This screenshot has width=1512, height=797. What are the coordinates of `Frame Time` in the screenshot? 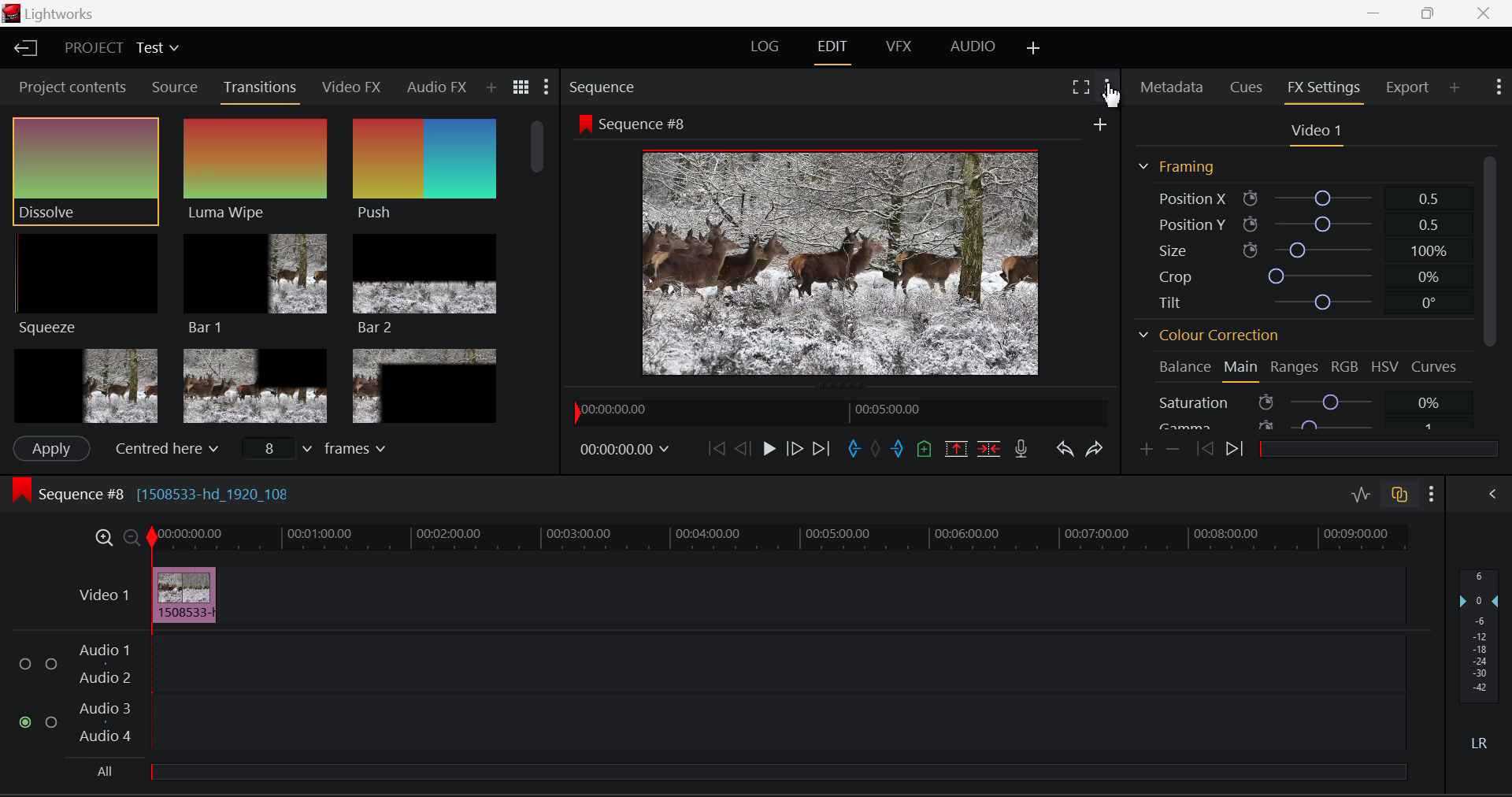 It's located at (625, 447).